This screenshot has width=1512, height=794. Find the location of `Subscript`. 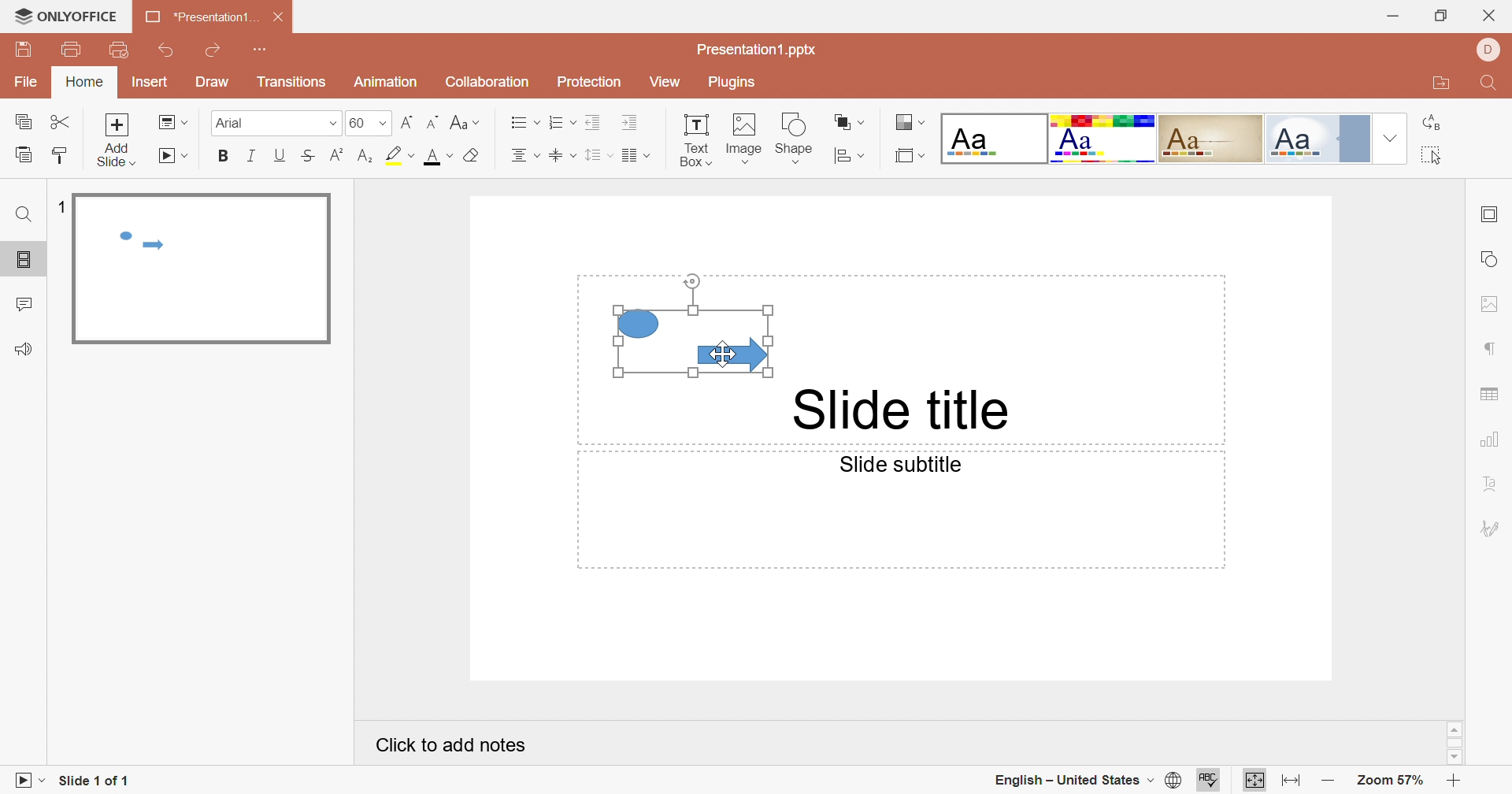

Subscript is located at coordinates (368, 155).